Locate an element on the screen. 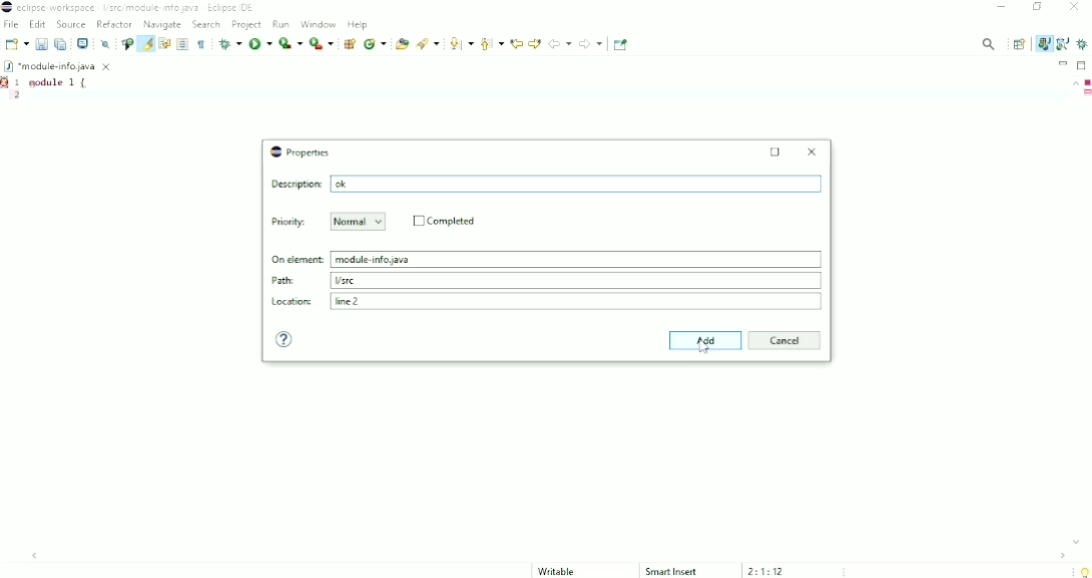 The image size is (1092, 578). New is located at coordinates (16, 44).